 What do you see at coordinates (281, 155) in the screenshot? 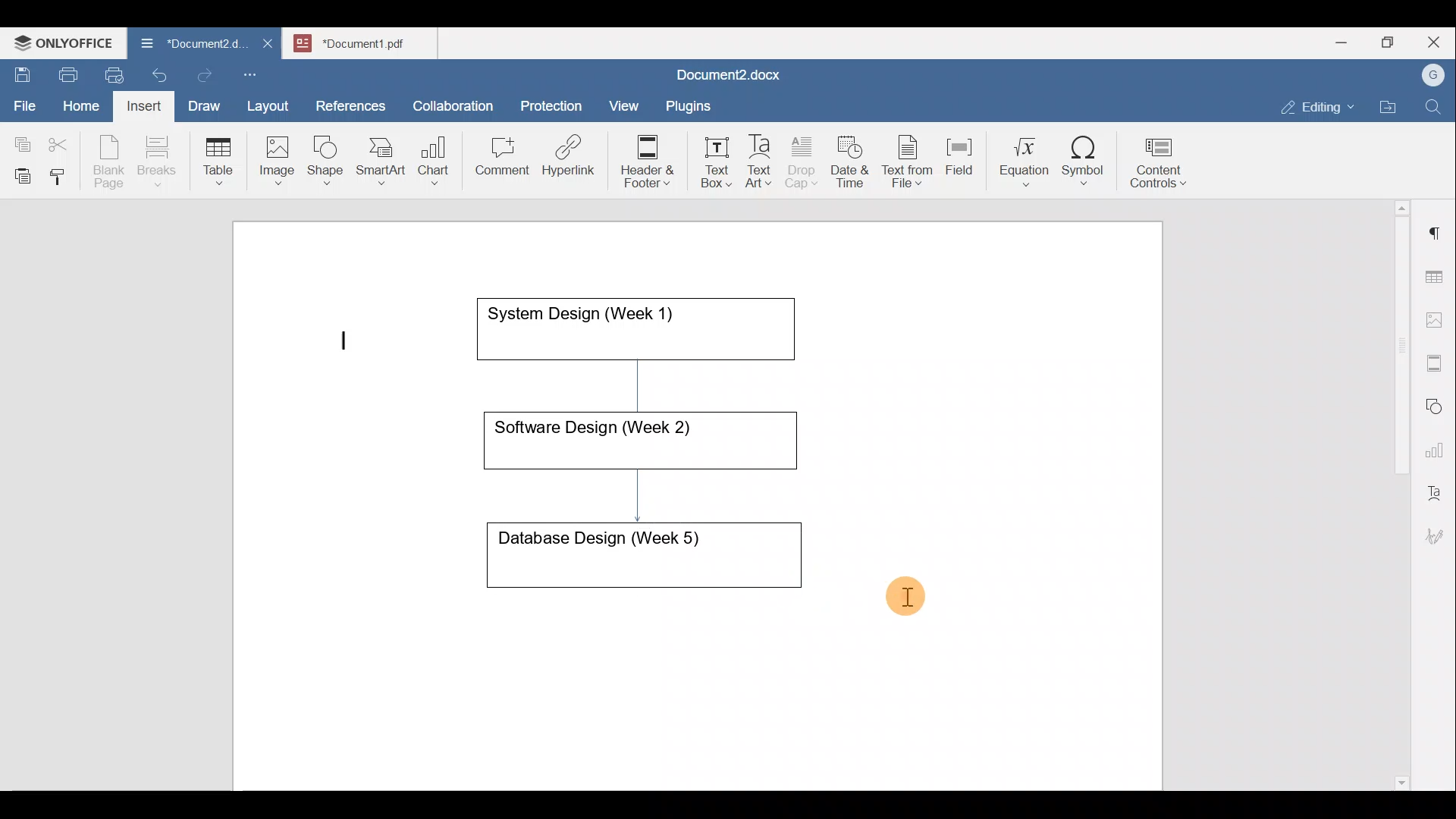
I see `Image` at bounding box center [281, 155].